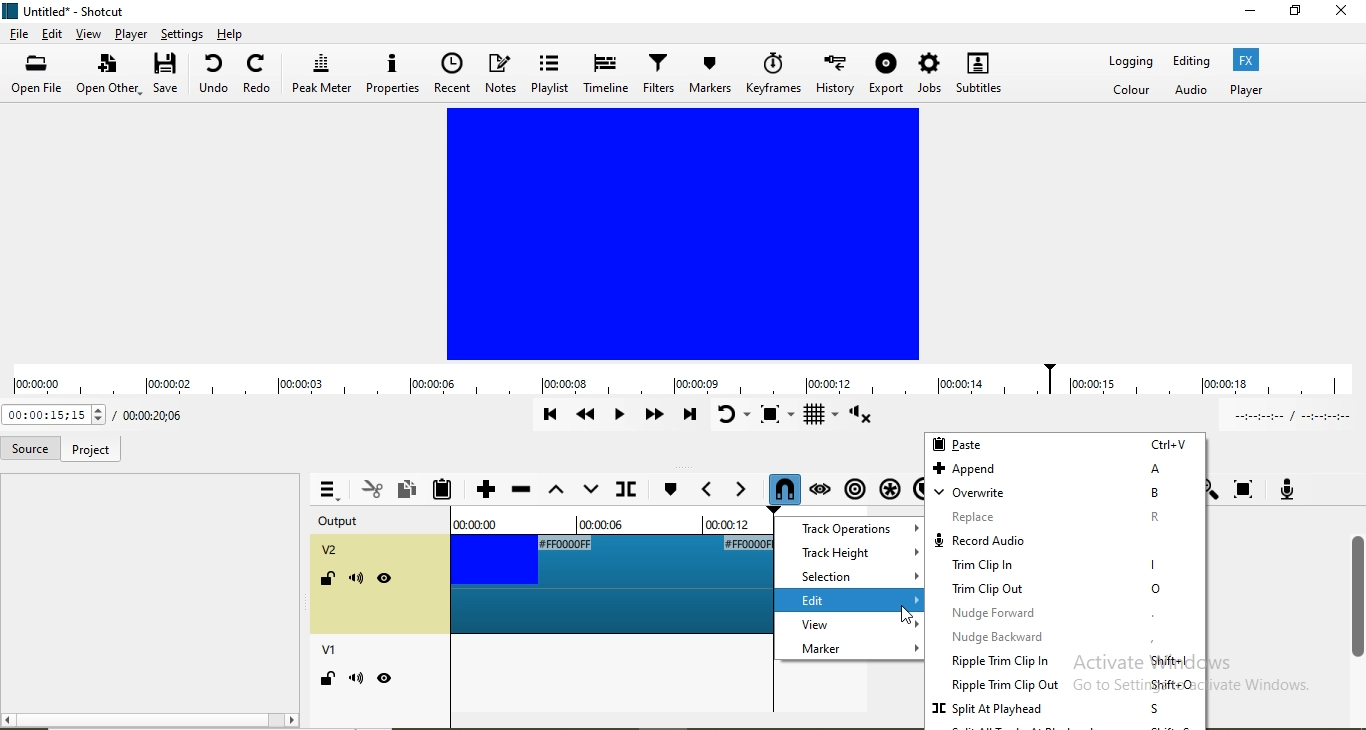 Image resolution: width=1366 pixels, height=730 pixels. Describe the element at coordinates (1193, 91) in the screenshot. I see `Audio` at that location.